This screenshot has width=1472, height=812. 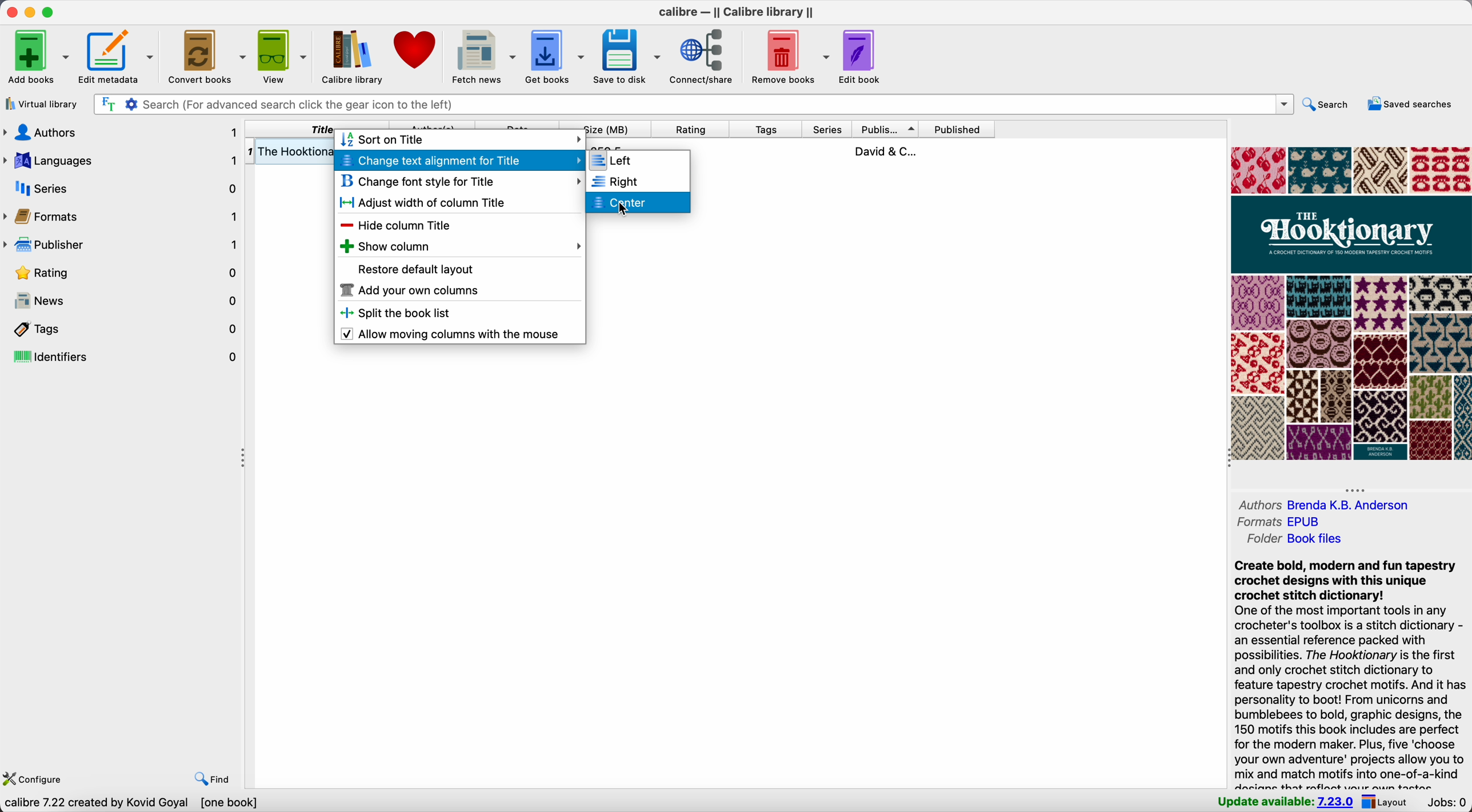 What do you see at coordinates (459, 182) in the screenshot?
I see `change font style for title` at bounding box center [459, 182].